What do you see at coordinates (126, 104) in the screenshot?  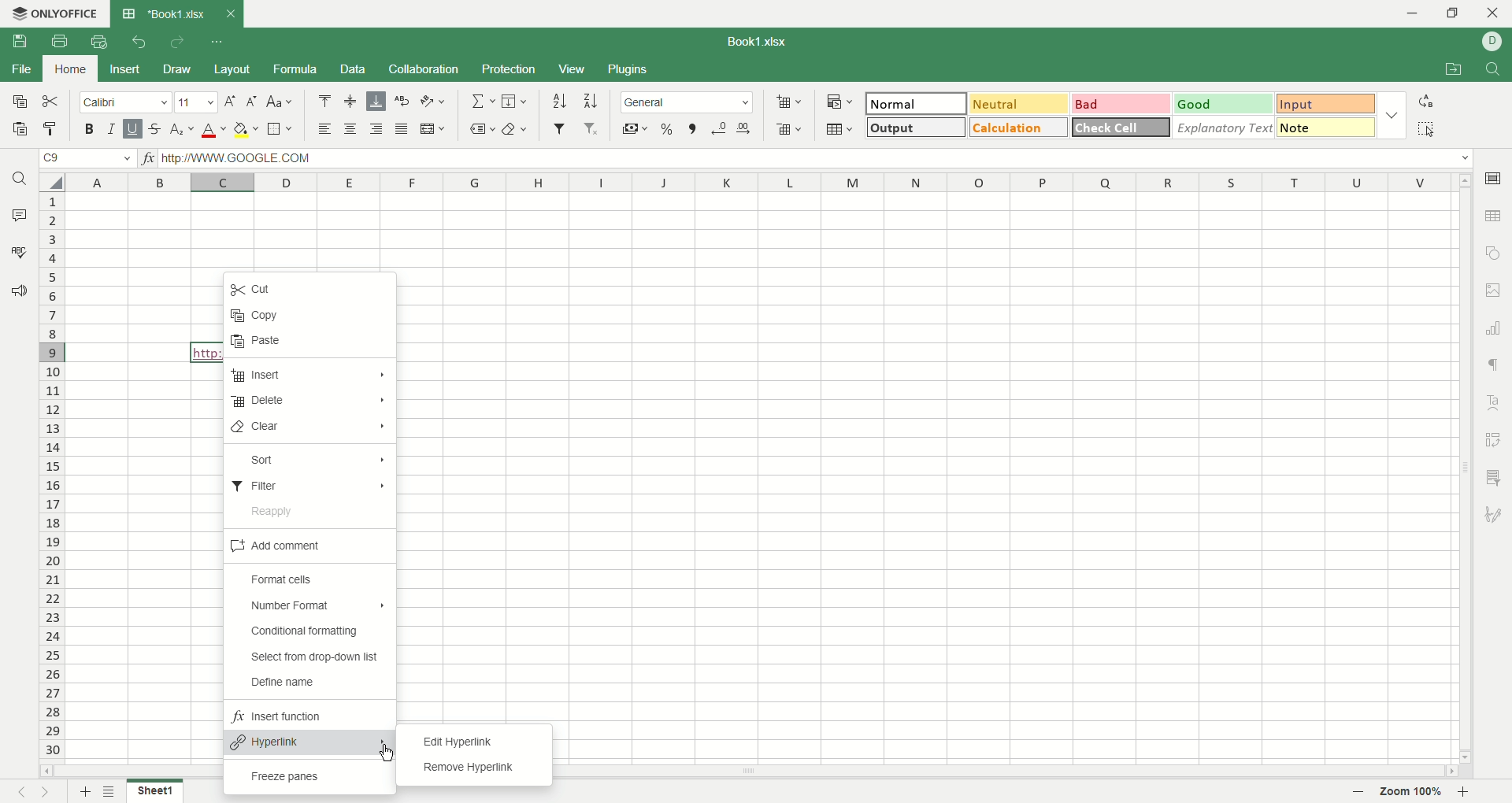 I see `font name` at bounding box center [126, 104].